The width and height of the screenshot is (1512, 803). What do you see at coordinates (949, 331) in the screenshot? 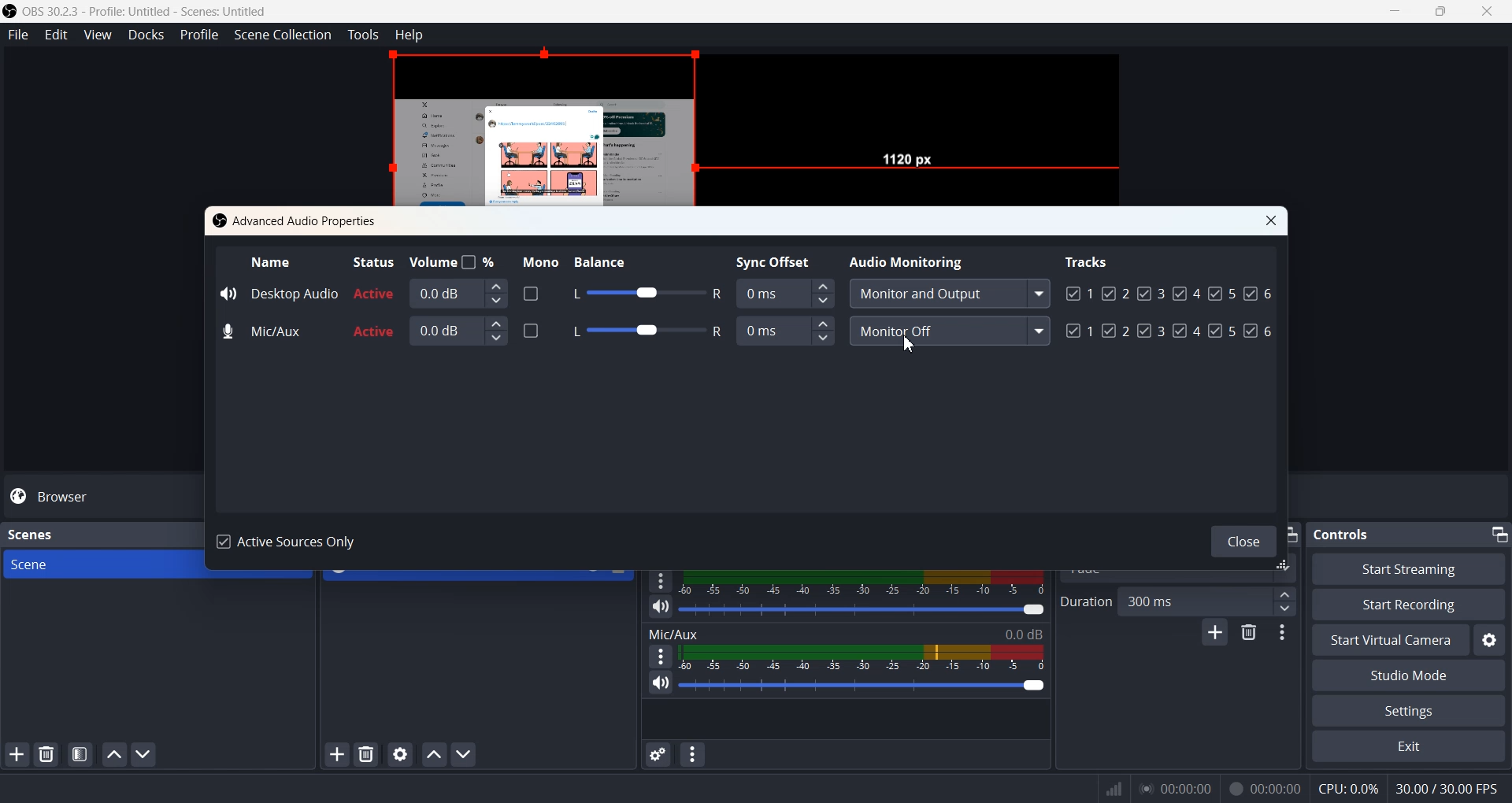
I see `Monitor off` at bounding box center [949, 331].